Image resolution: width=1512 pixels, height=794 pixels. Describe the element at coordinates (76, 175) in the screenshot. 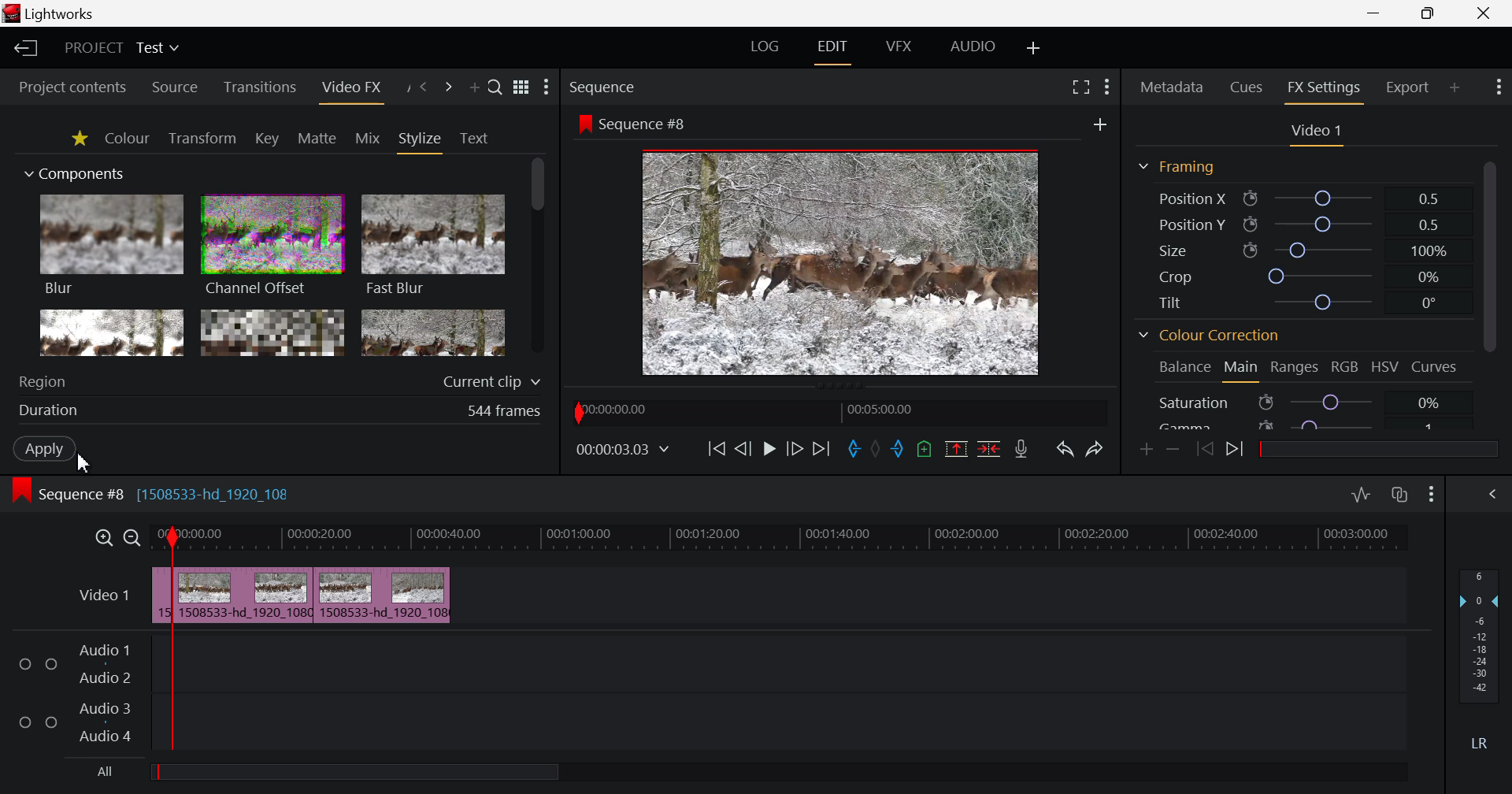

I see `Components` at that location.